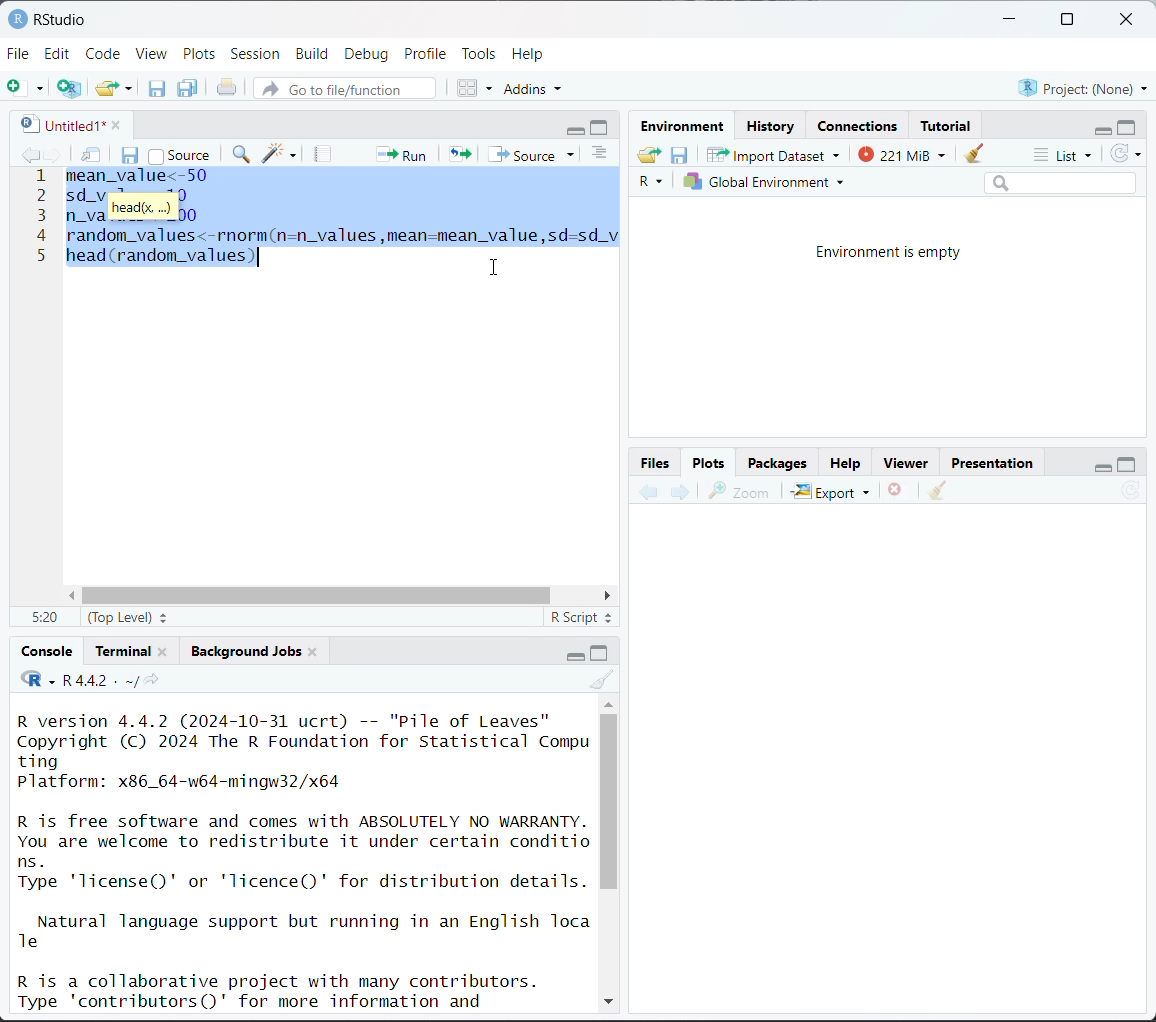 The height and width of the screenshot is (1022, 1156). I want to click on Debug, so click(366, 54).